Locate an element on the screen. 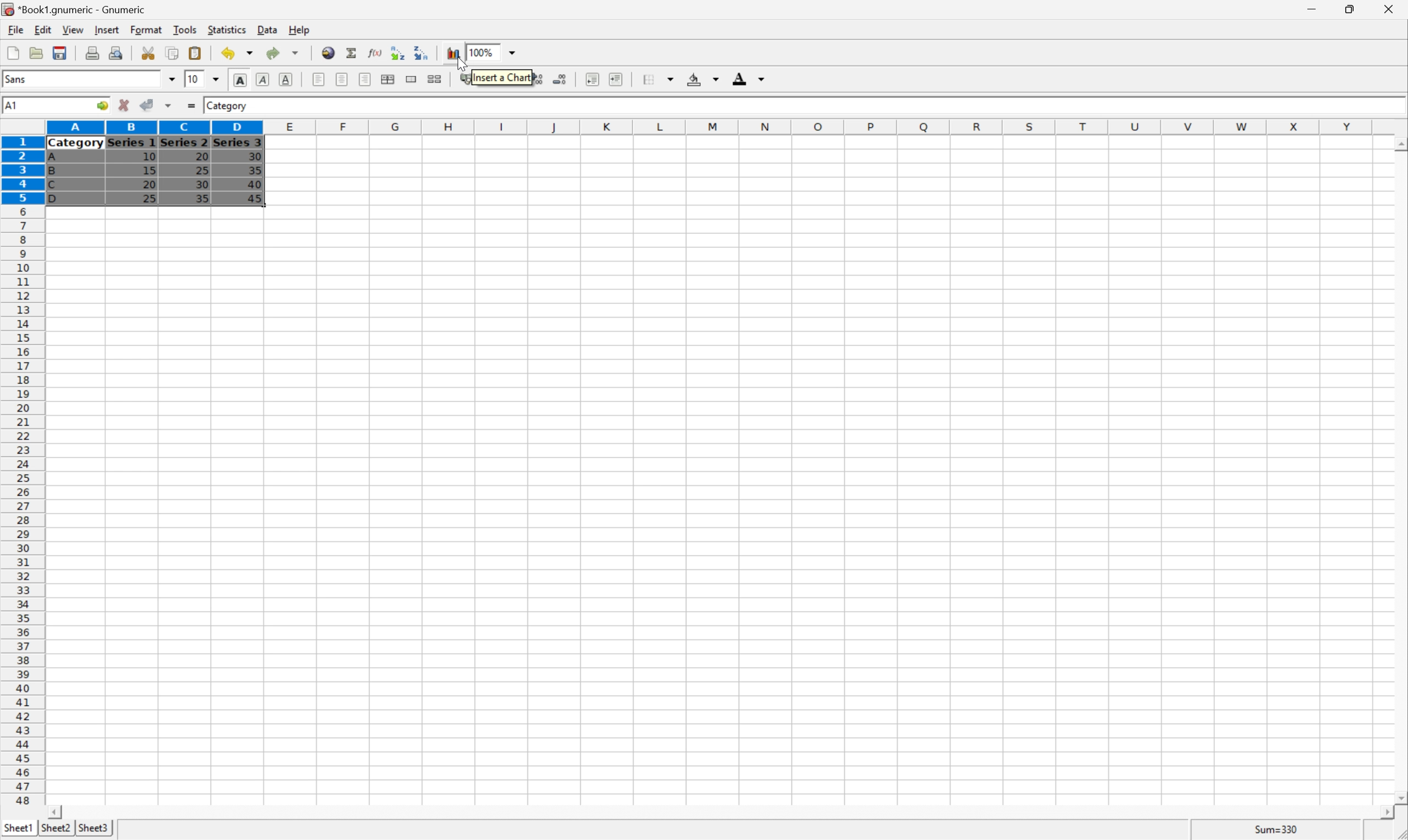 The height and width of the screenshot is (840, 1408). Scroll Up is located at coordinates (1398, 143).